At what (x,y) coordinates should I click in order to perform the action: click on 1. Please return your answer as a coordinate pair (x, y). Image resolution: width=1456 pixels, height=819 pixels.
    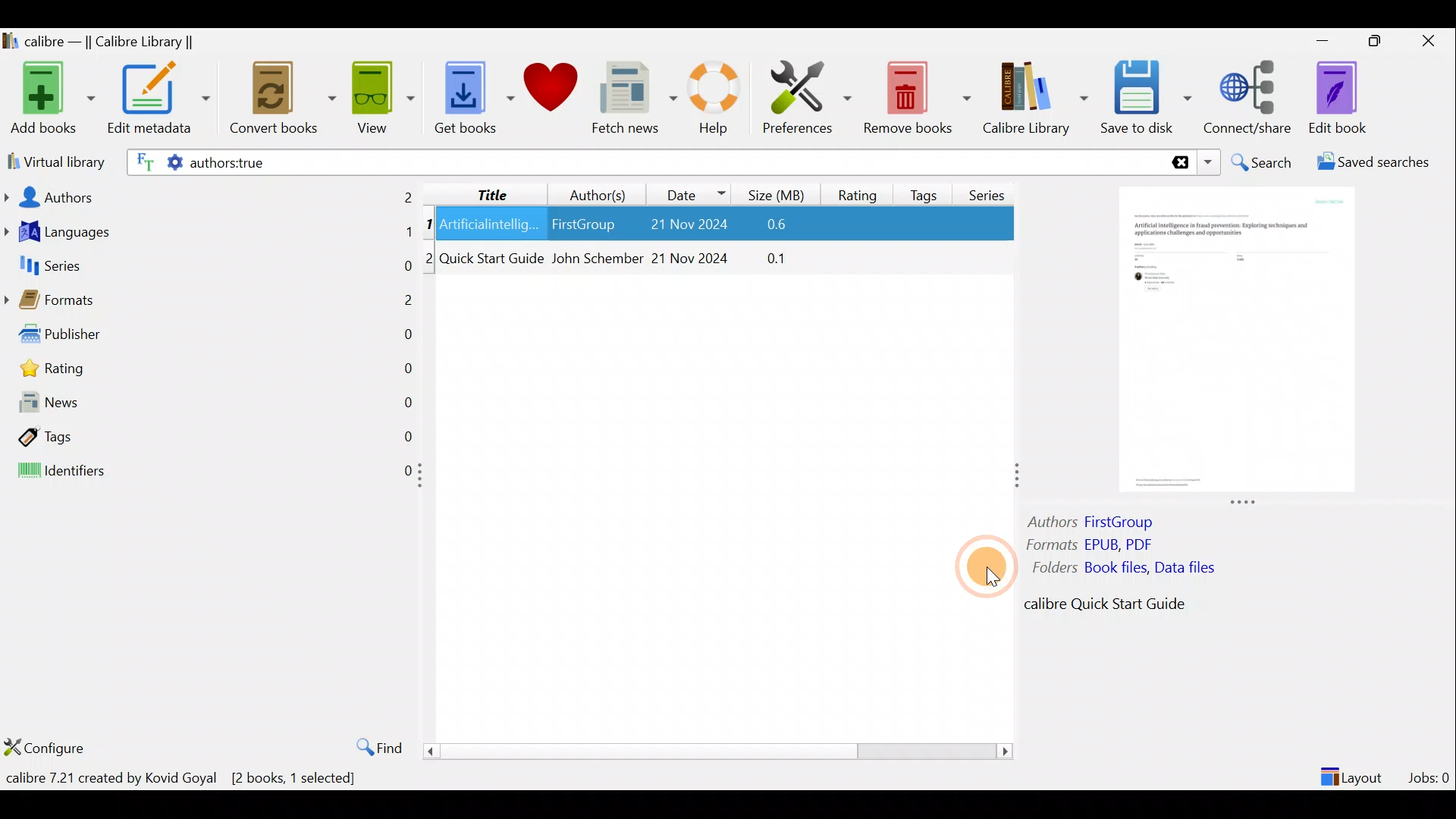
    Looking at the image, I should click on (429, 225).